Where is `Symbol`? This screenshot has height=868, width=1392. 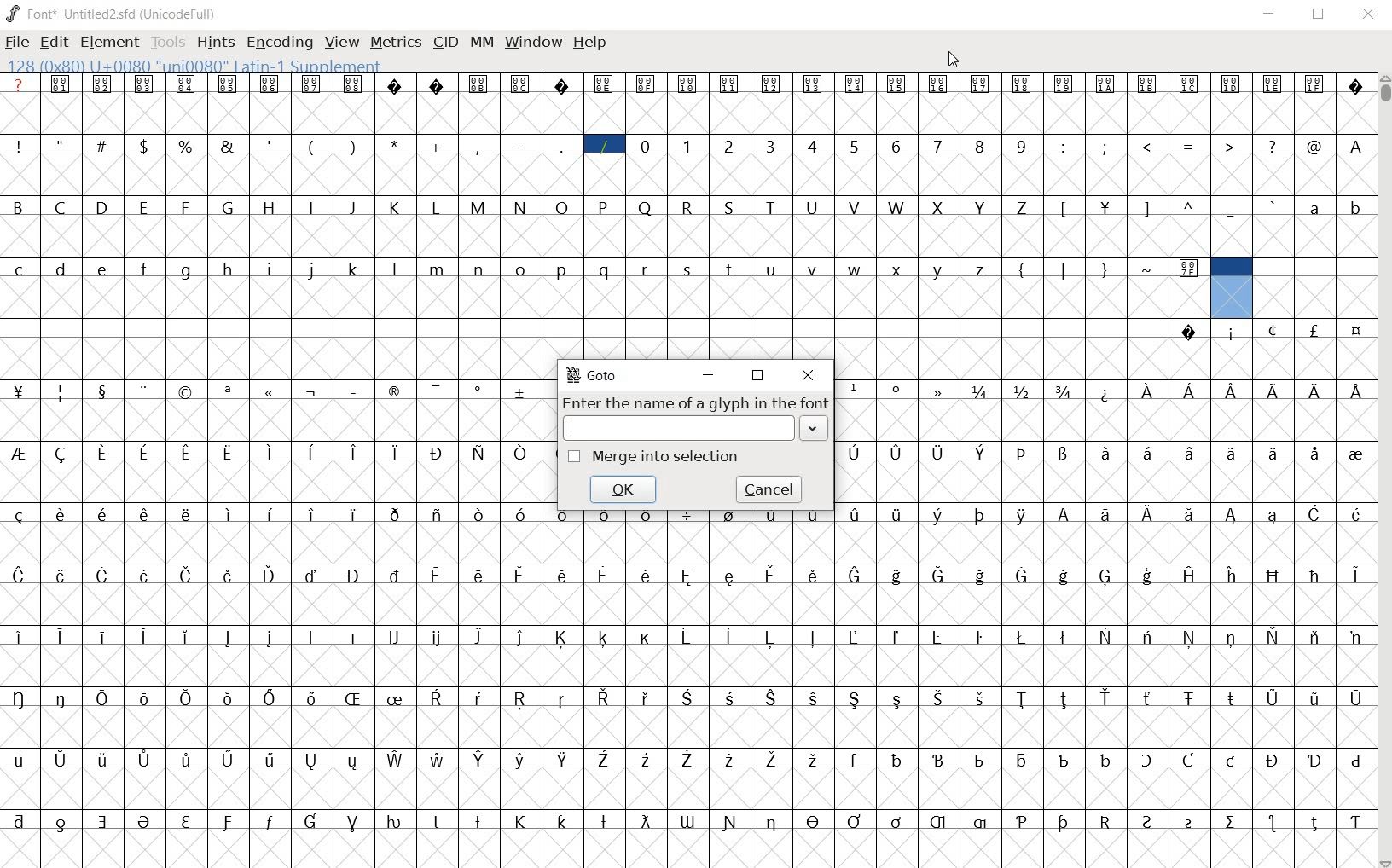
Symbol is located at coordinates (816, 697).